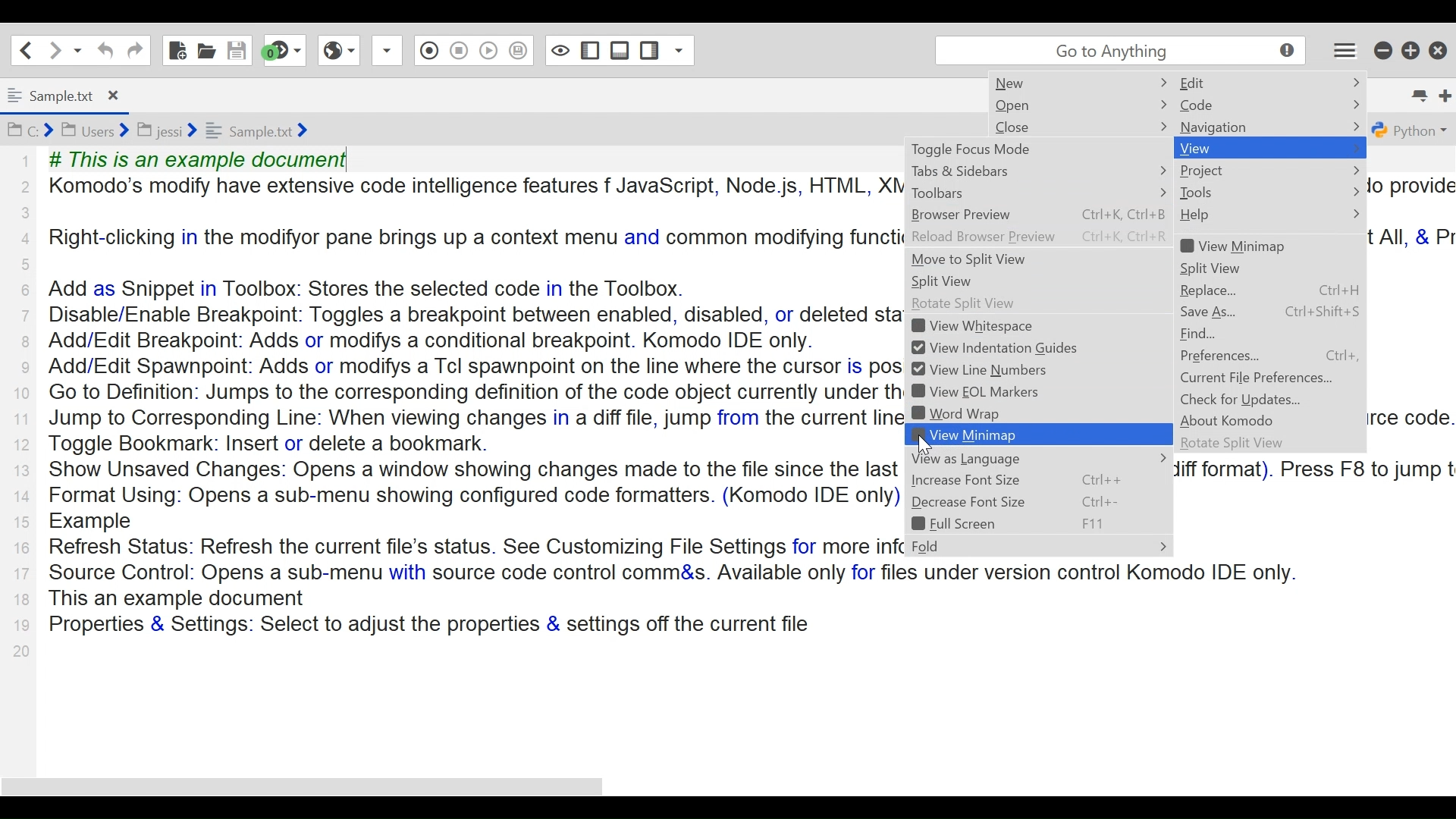  What do you see at coordinates (1021, 83) in the screenshot?
I see `New` at bounding box center [1021, 83].